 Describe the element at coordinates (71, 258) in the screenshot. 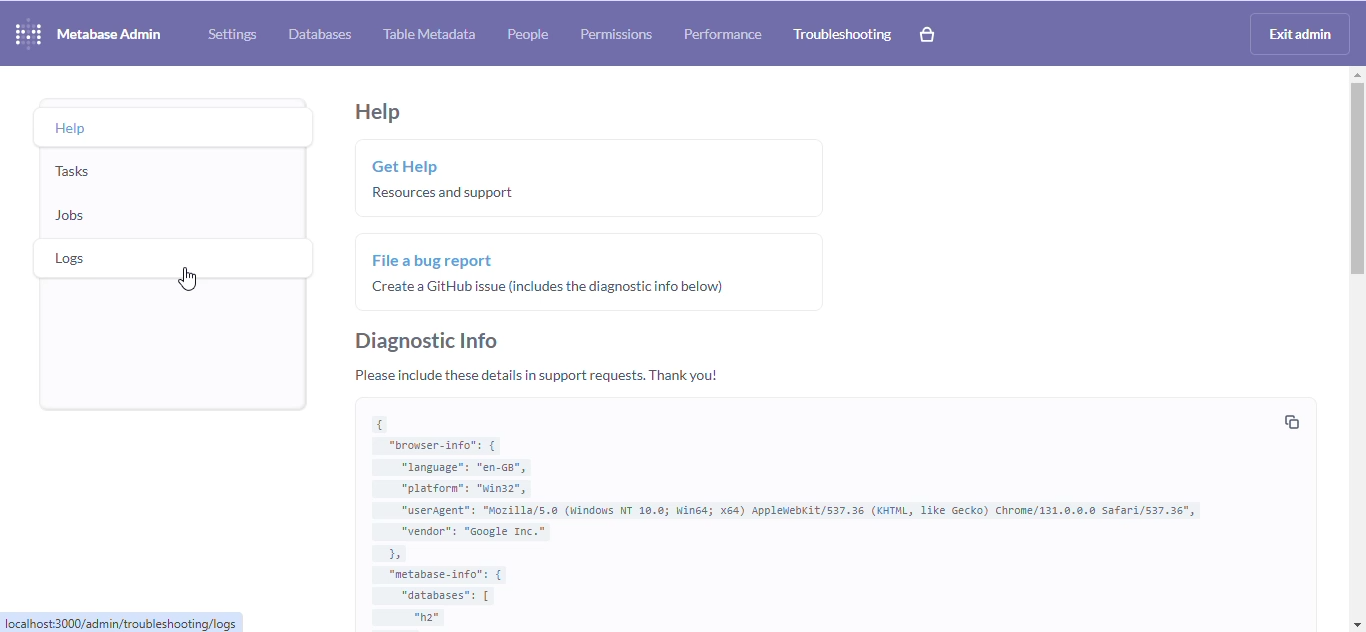

I see `logs` at that location.